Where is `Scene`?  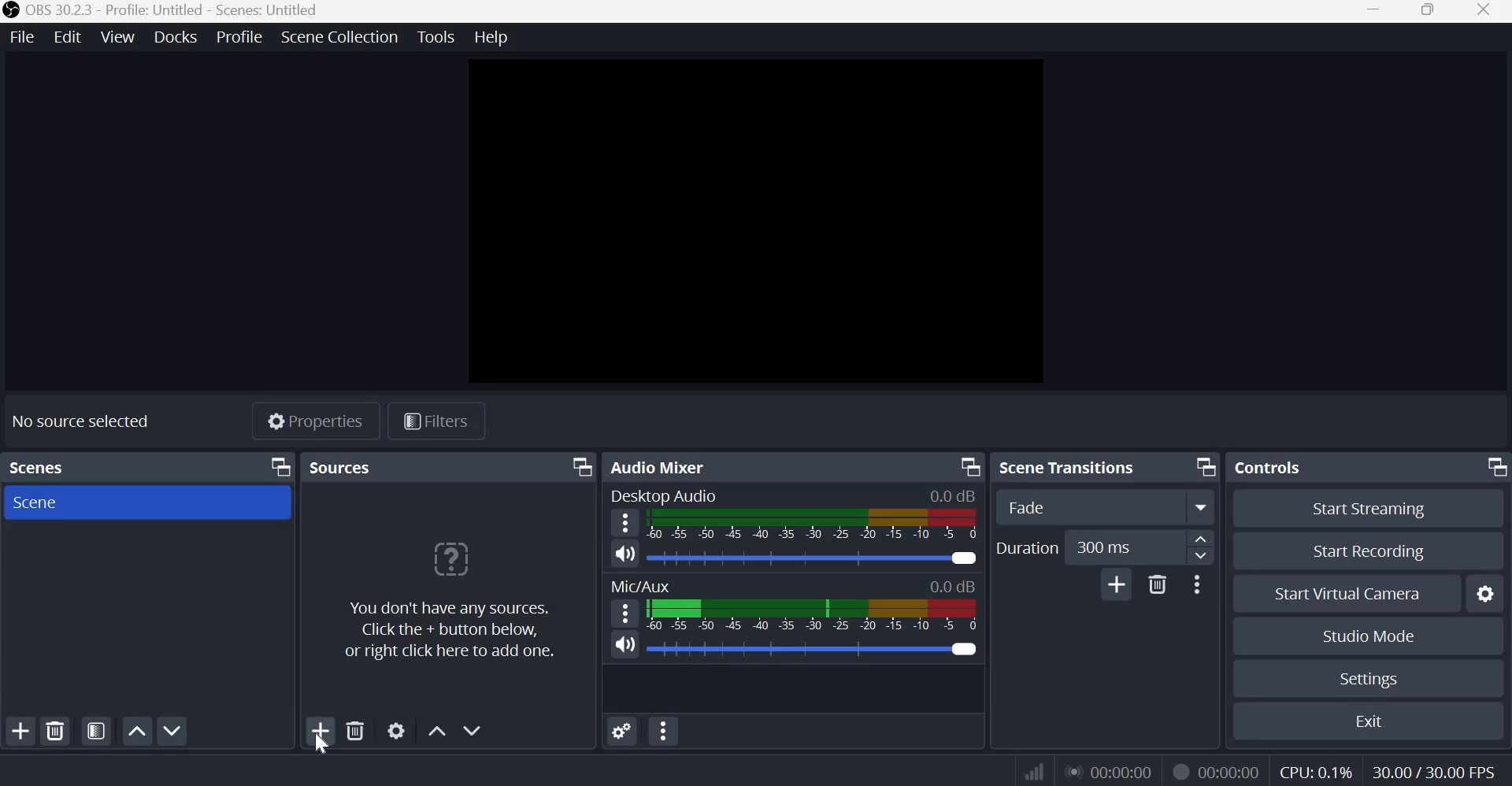
Scene is located at coordinates (51, 502).